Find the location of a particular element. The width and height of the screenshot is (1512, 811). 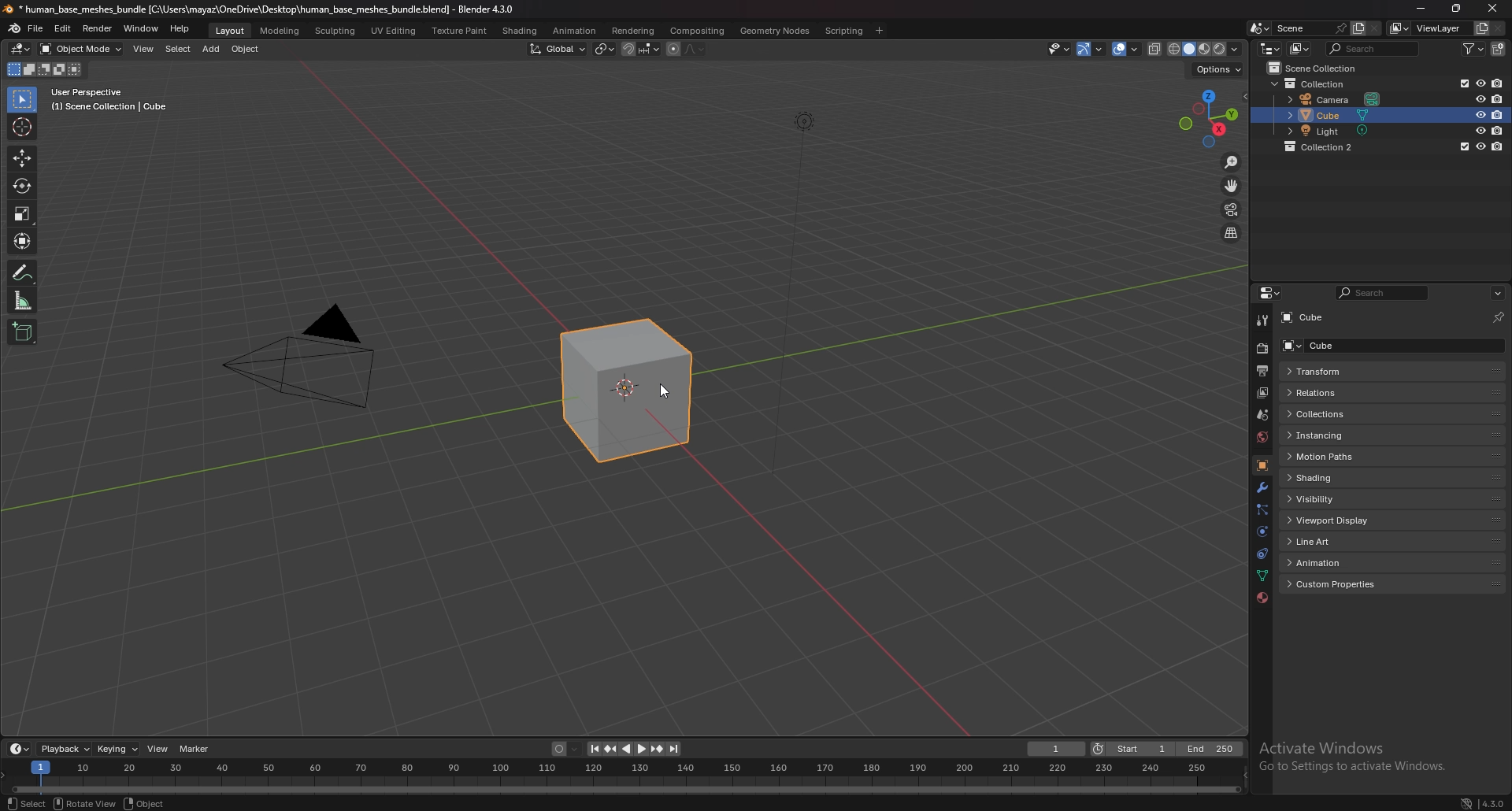

disable in renders is located at coordinates (1498, 82).